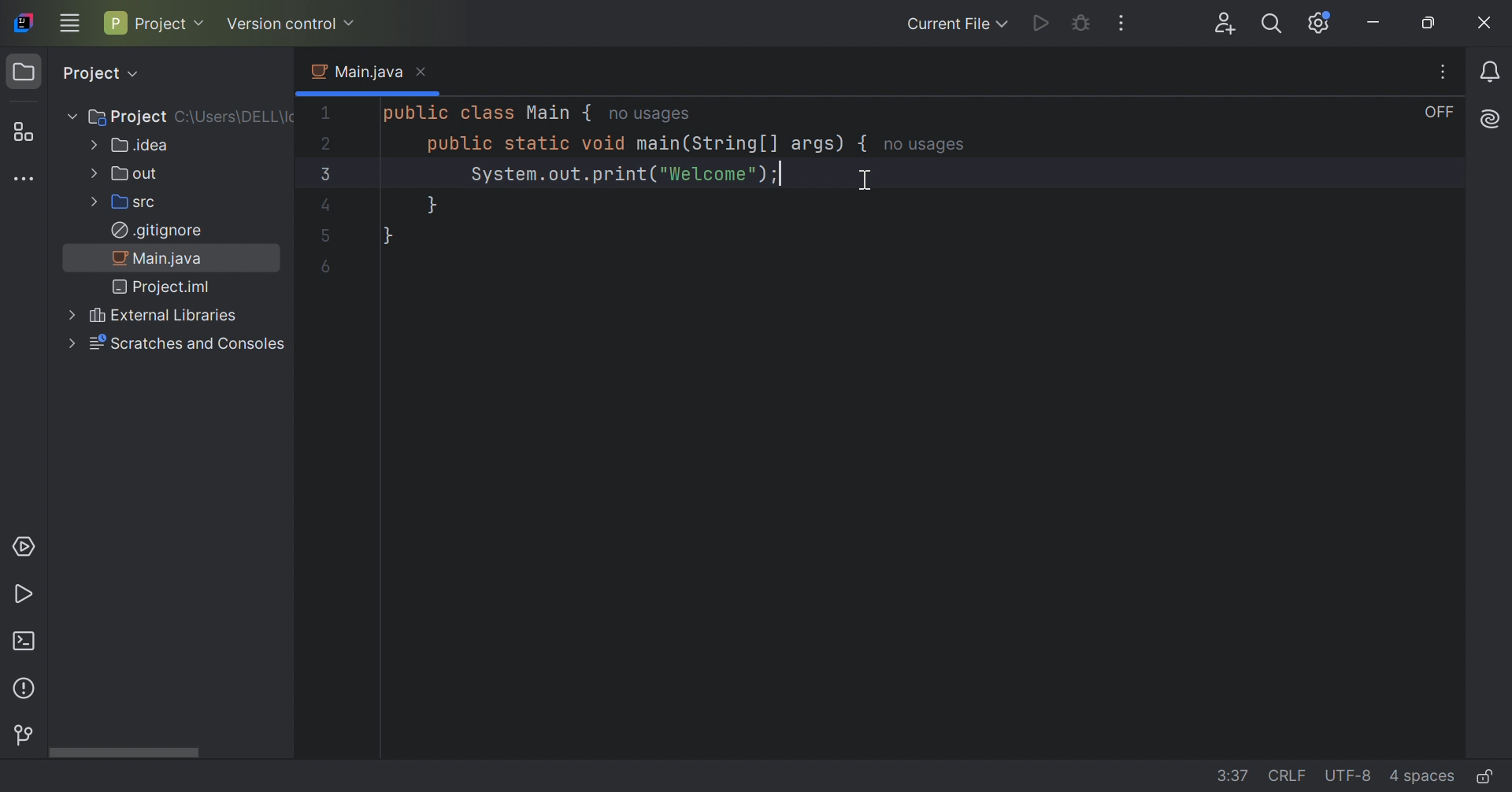 The width and height of the screenshot is (1512, 792). What do you see at coordinates (24, 596) in the screenshot?
I see `Run` at bounding box center [24, 596].